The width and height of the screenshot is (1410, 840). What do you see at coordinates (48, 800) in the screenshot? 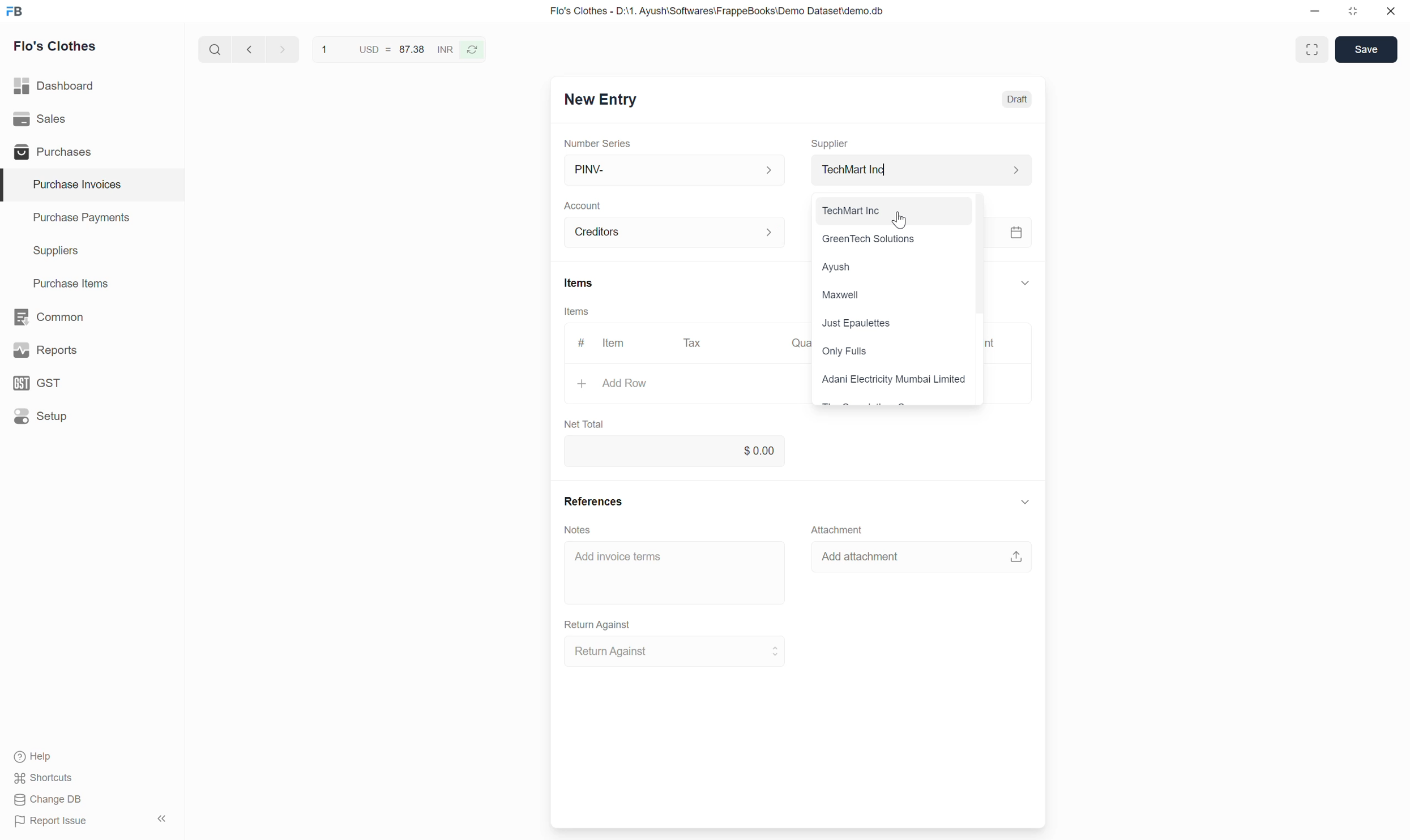
I see `Change DB` at bounding box center [48, 800].